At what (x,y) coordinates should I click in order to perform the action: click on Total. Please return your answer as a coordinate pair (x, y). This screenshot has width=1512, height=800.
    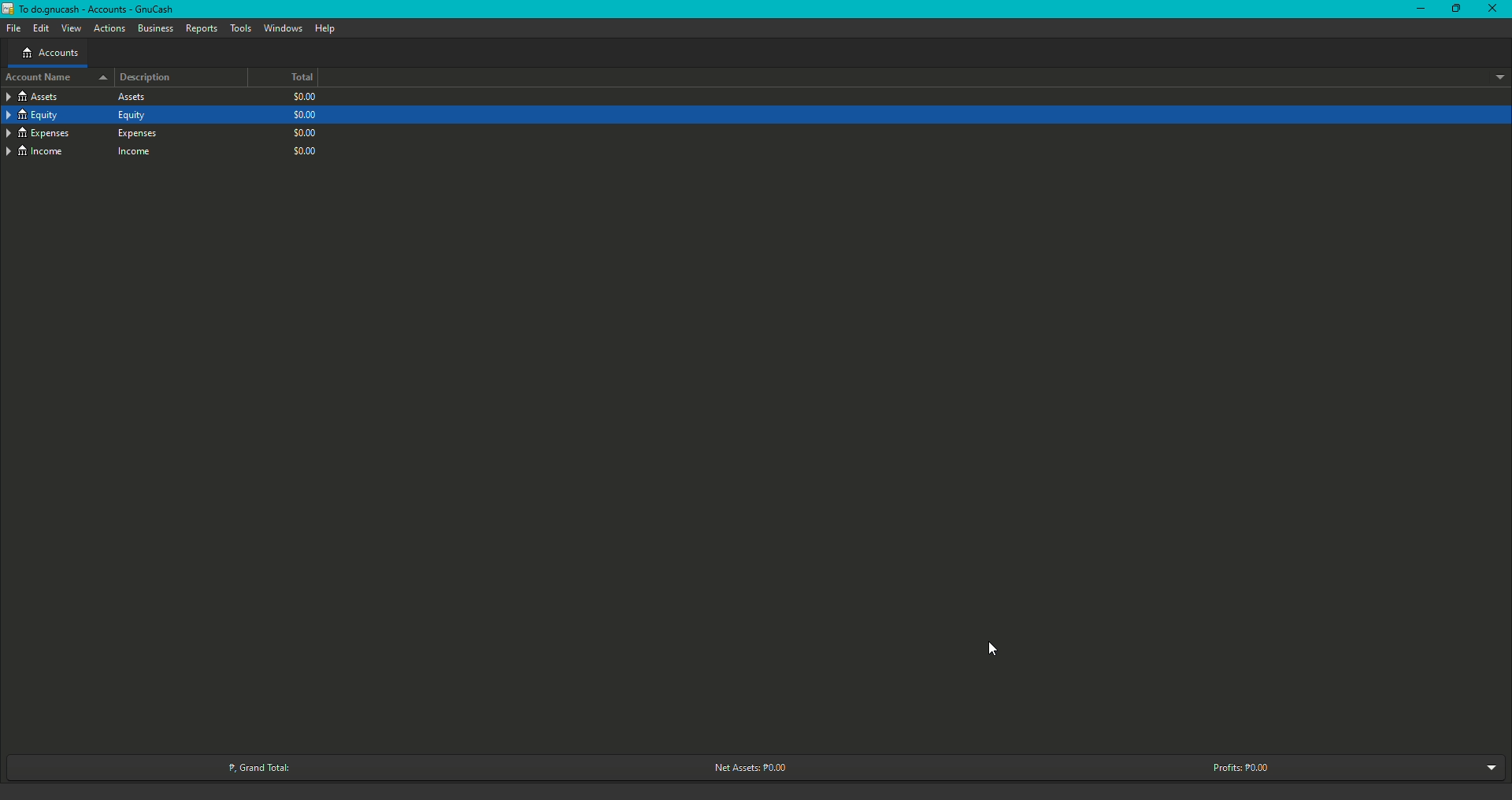
    Looking at the image, I should click on (290, 79).